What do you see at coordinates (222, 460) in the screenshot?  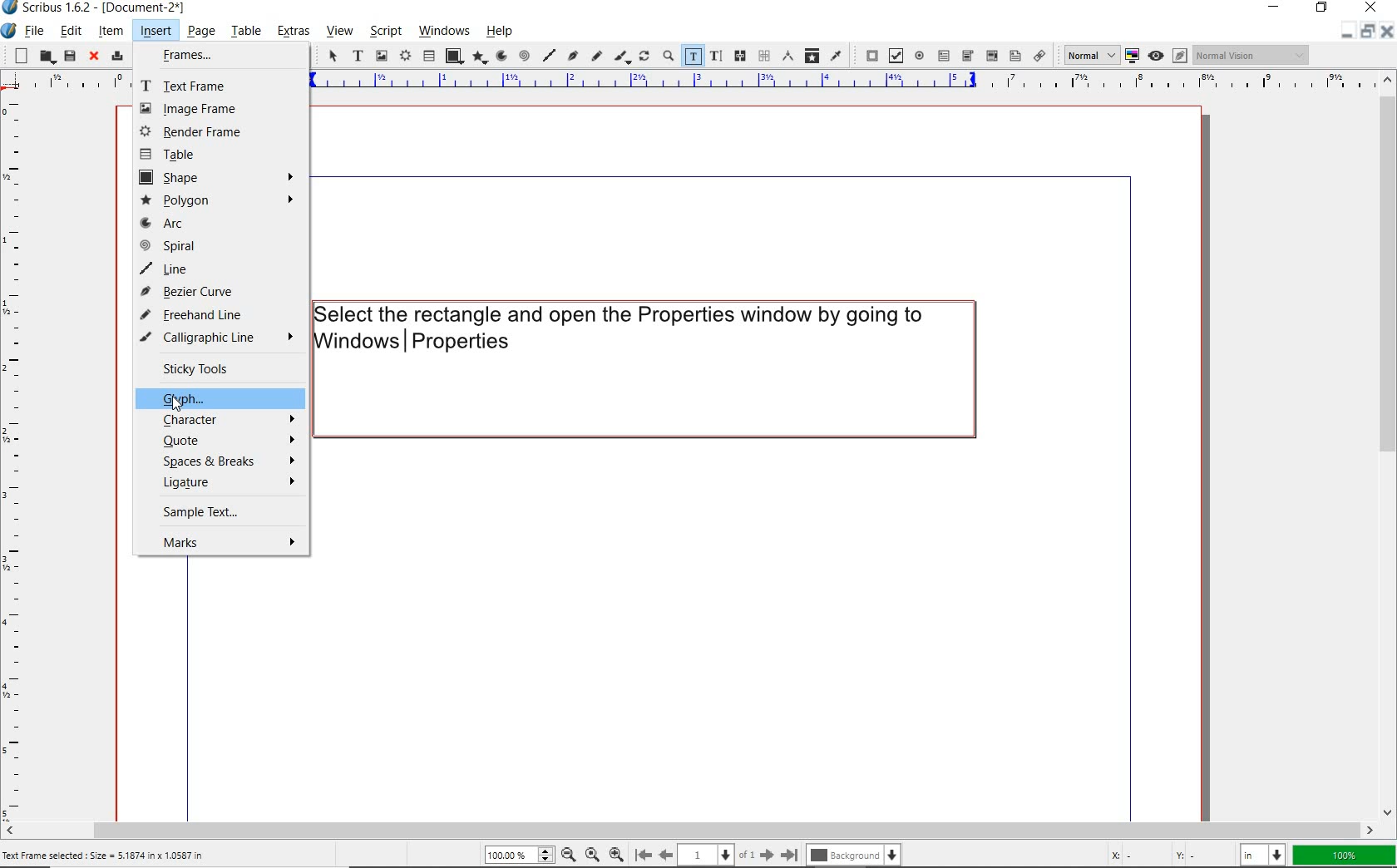 I see `spaces & breaks` at bounding box center [222, 460].